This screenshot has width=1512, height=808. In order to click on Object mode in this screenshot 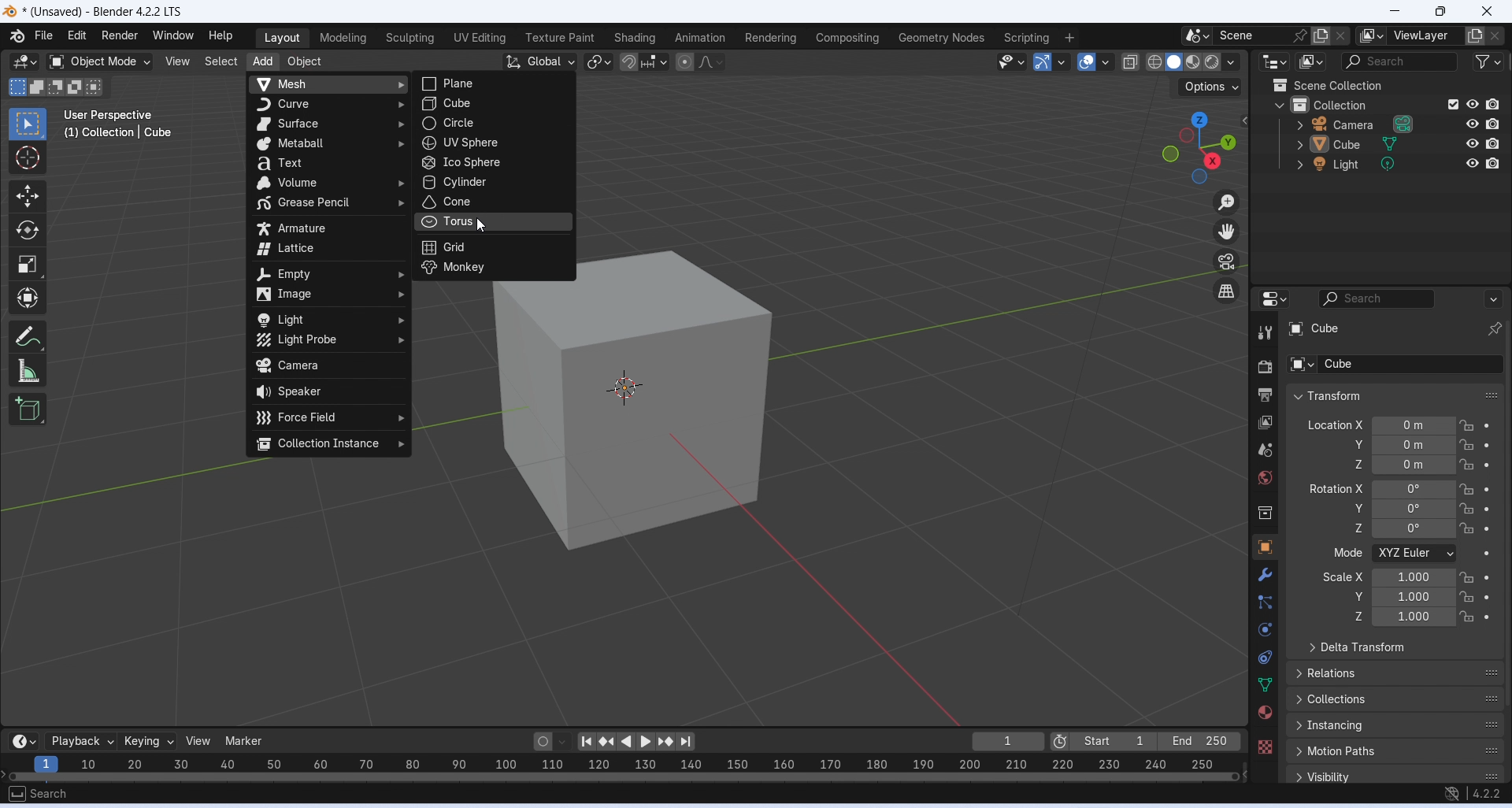, I will do `click(96, 61)`.